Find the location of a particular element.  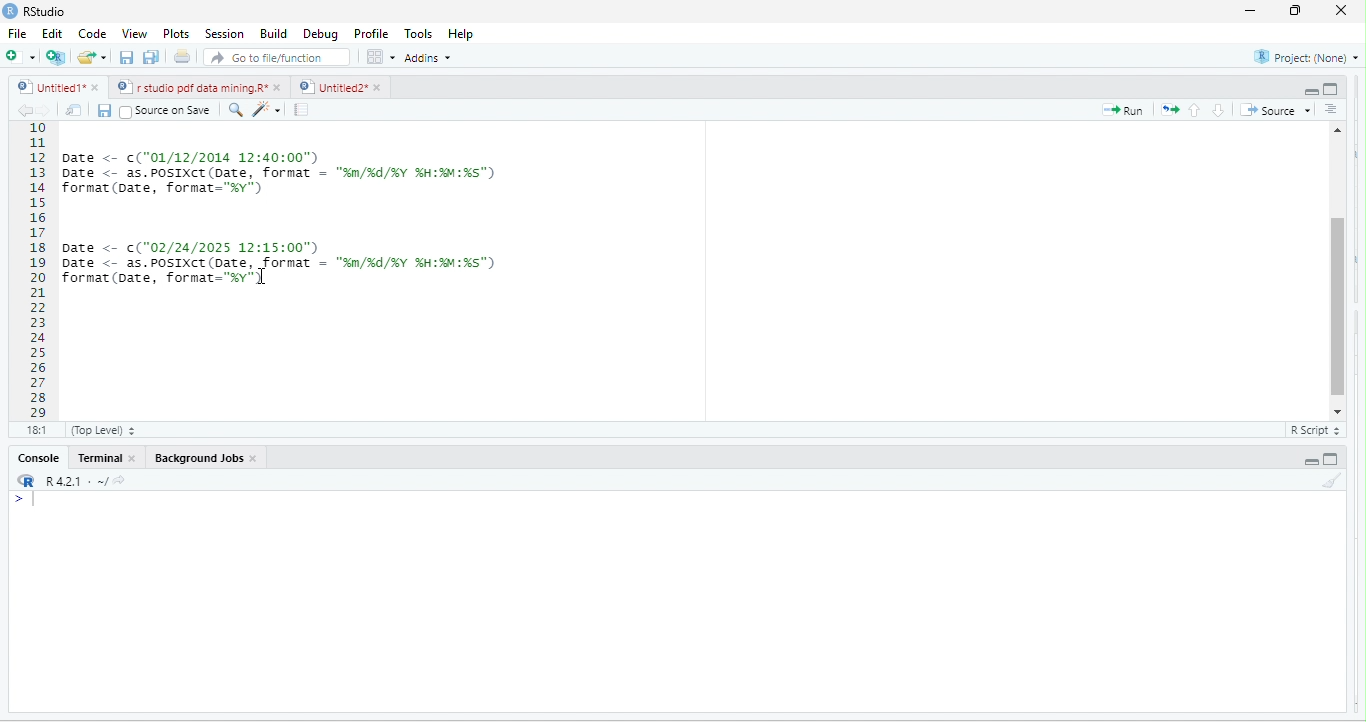

 Untitled1 is located at coordinates (46, 87).